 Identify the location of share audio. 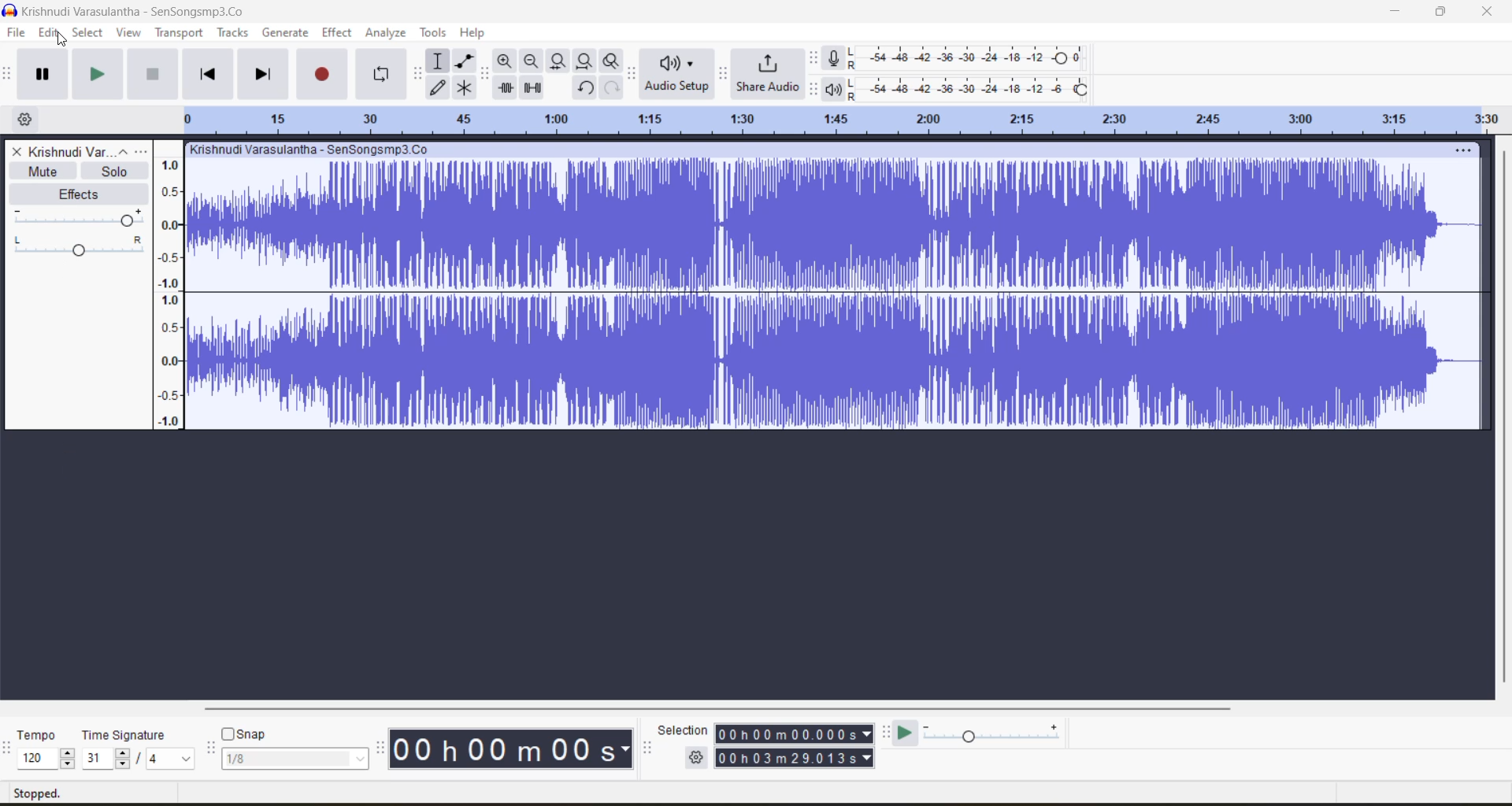
(766, 76).